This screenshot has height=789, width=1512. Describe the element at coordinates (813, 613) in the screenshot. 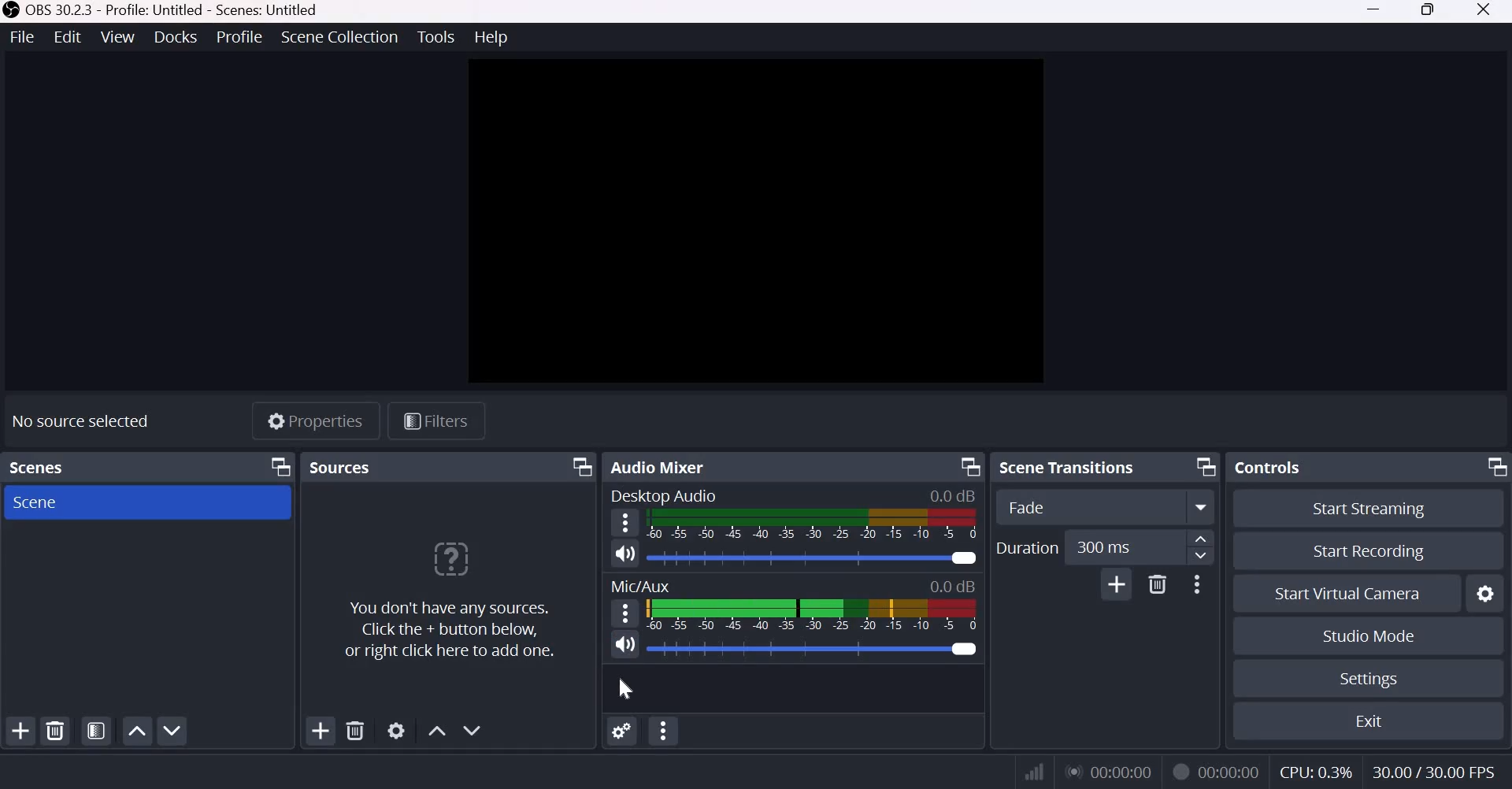

I see `Volume Meter` at that location.